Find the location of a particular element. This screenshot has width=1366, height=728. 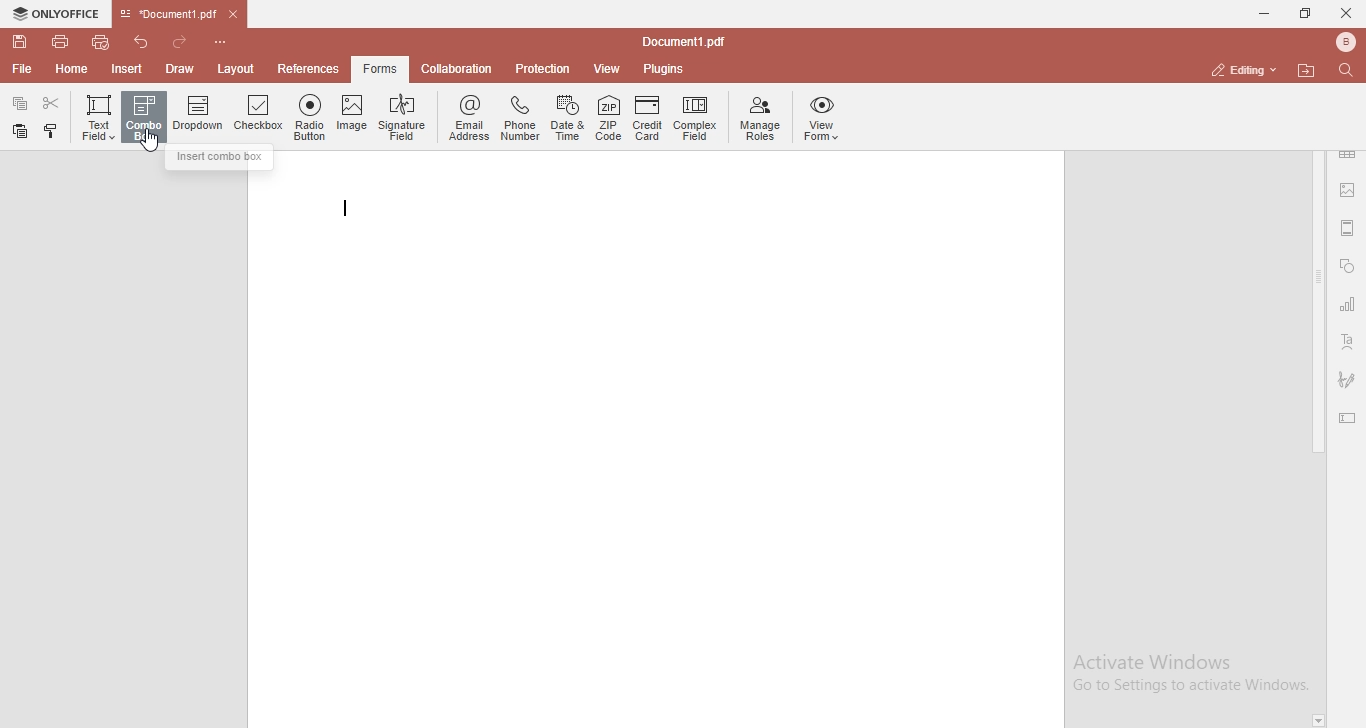

text is located at coordinates (1348, 343).